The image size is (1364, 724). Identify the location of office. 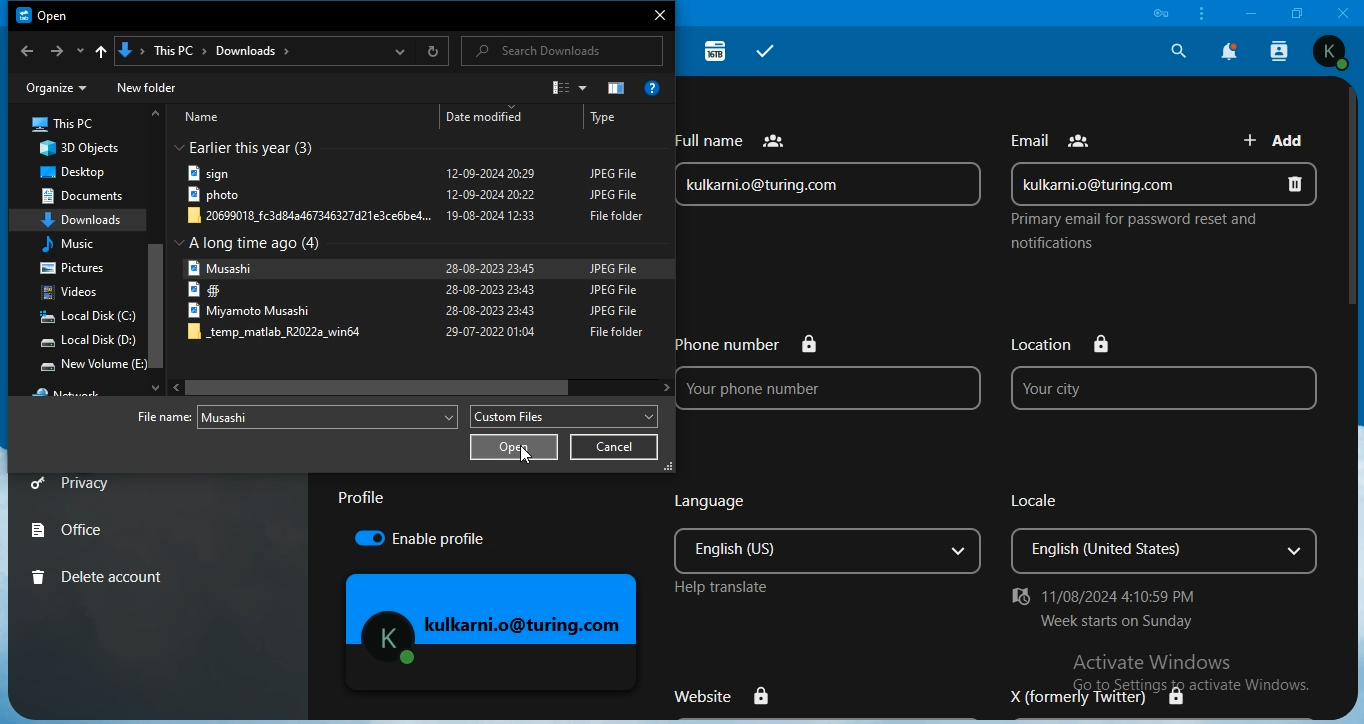
(70, 528).